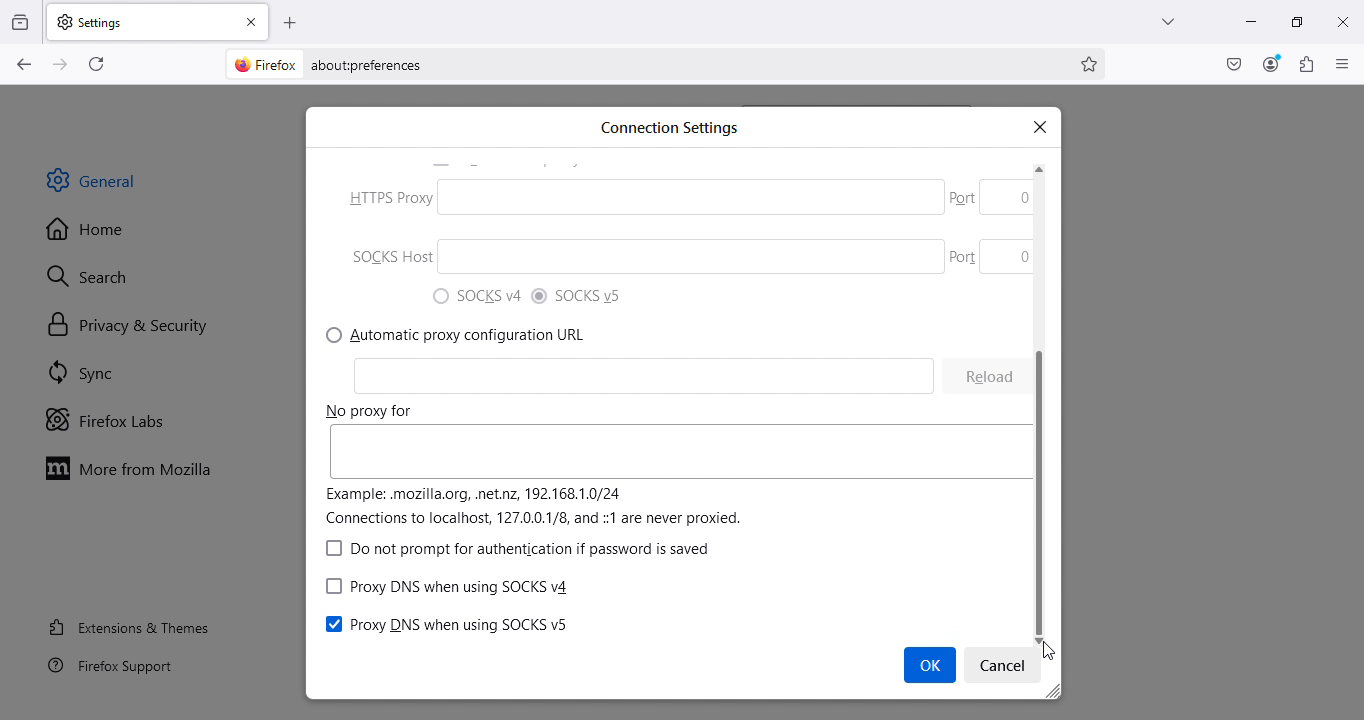 The width and height of the screenshot is (1364, 720). What do you see at coordinates (686, 127) in the screenshot?
I see `Search bar` at bounding box center [686, 127].